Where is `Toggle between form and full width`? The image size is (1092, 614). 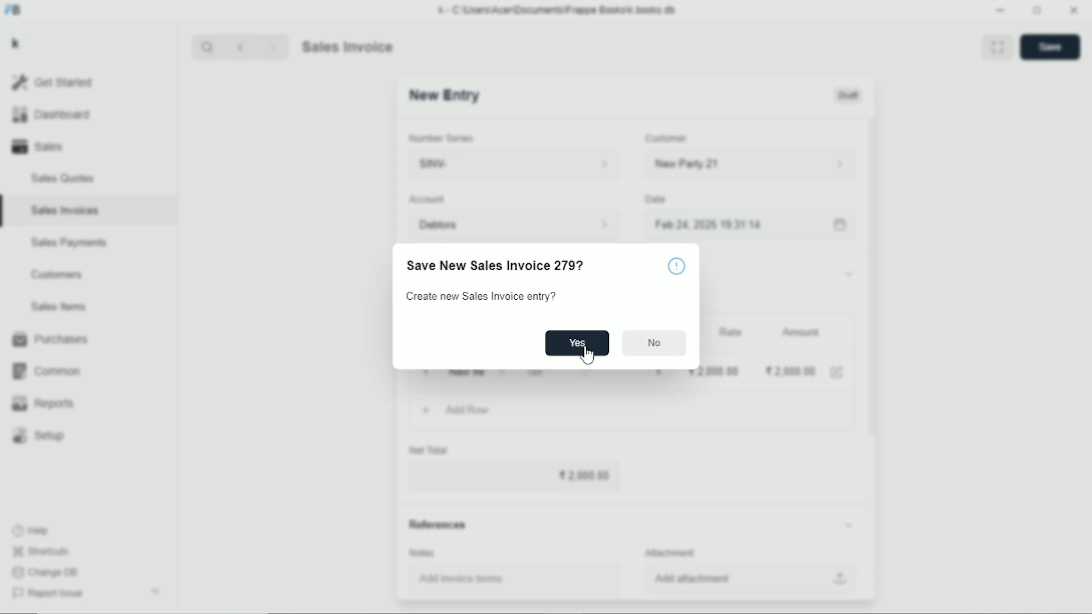
Toggle between form and full width is located at coordinates (998, 46).